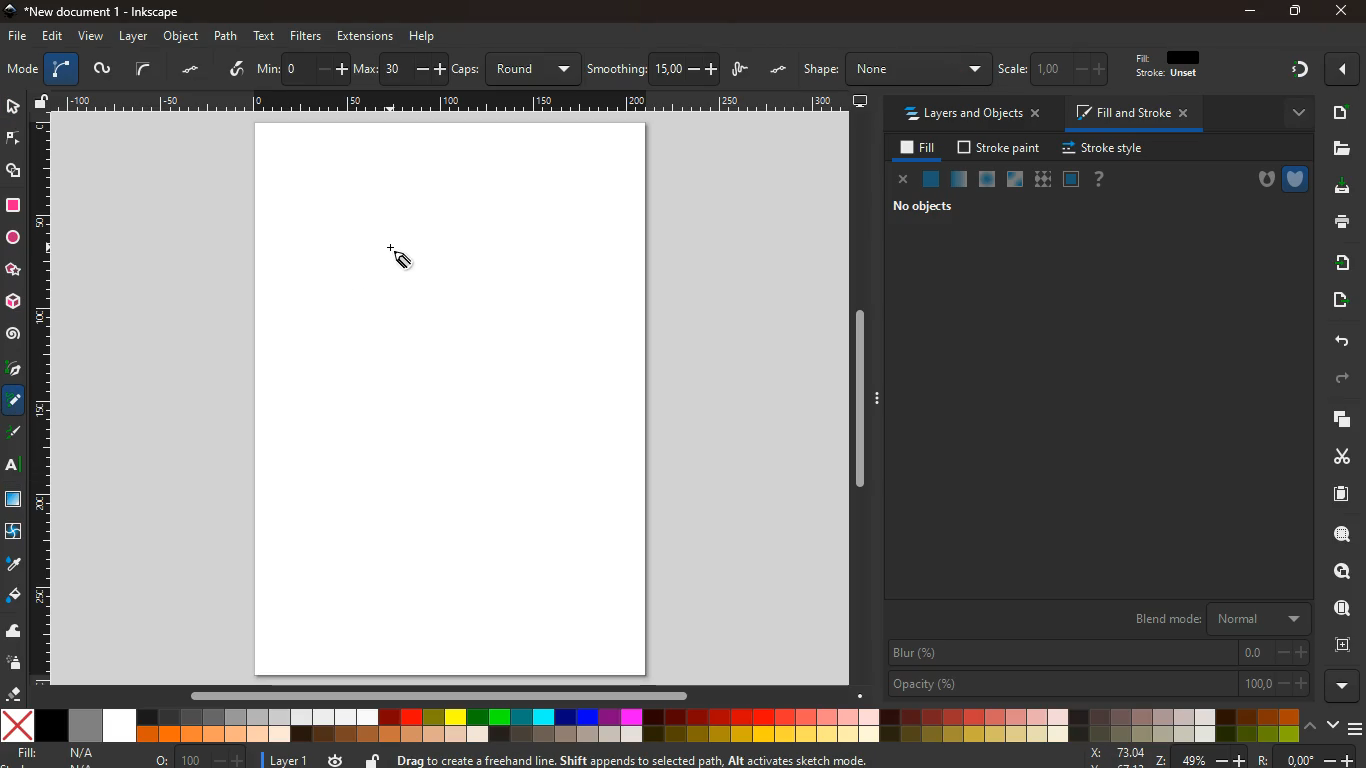 This screenshot has height=768, width=1366. I want to click on down, so click(1333, 723).